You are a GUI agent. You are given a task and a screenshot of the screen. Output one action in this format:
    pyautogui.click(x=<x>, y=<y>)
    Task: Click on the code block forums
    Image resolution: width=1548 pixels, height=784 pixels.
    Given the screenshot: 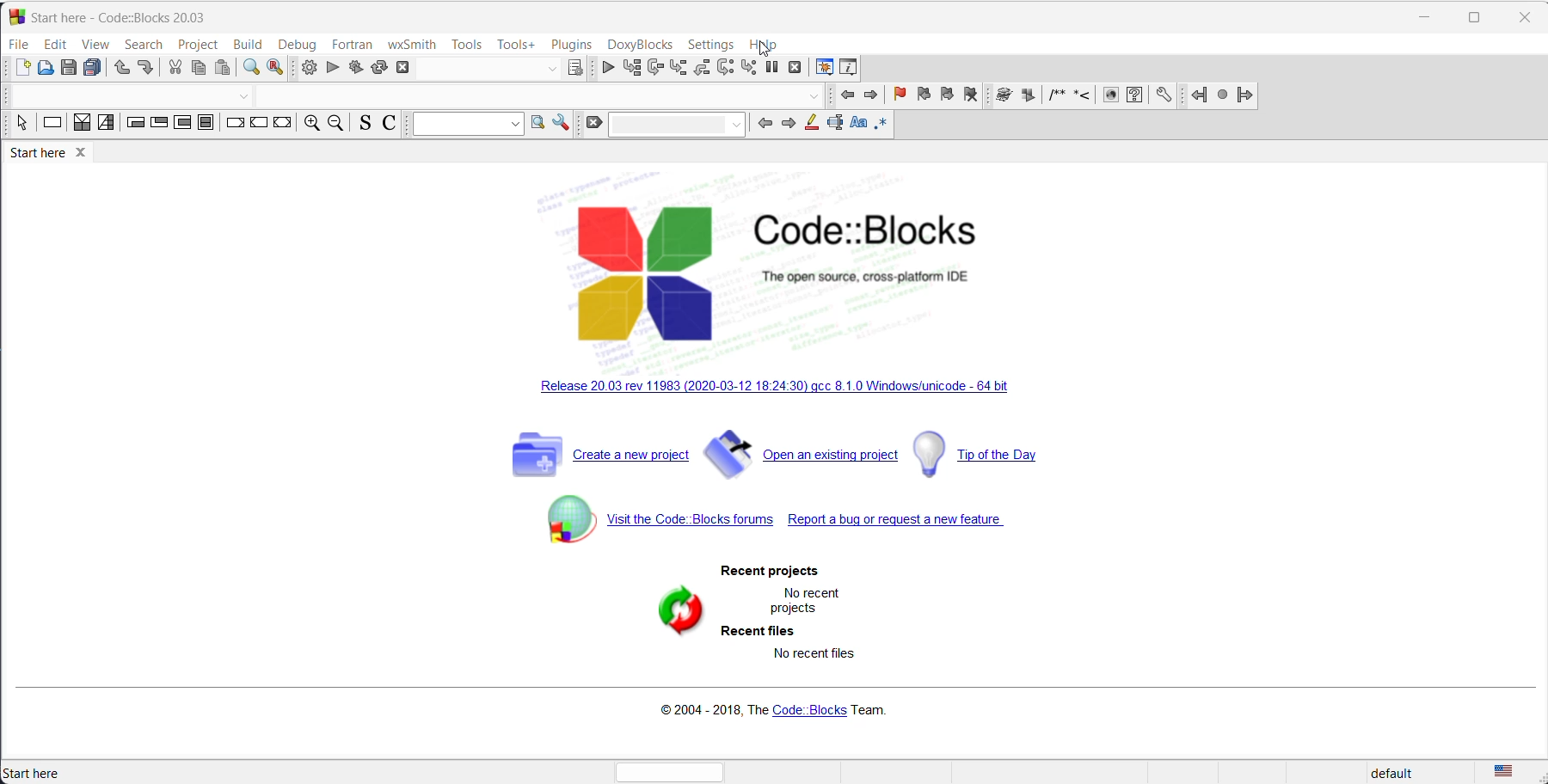 What is the action you would take?
    pyautogui.click(x=664, y=530)
    